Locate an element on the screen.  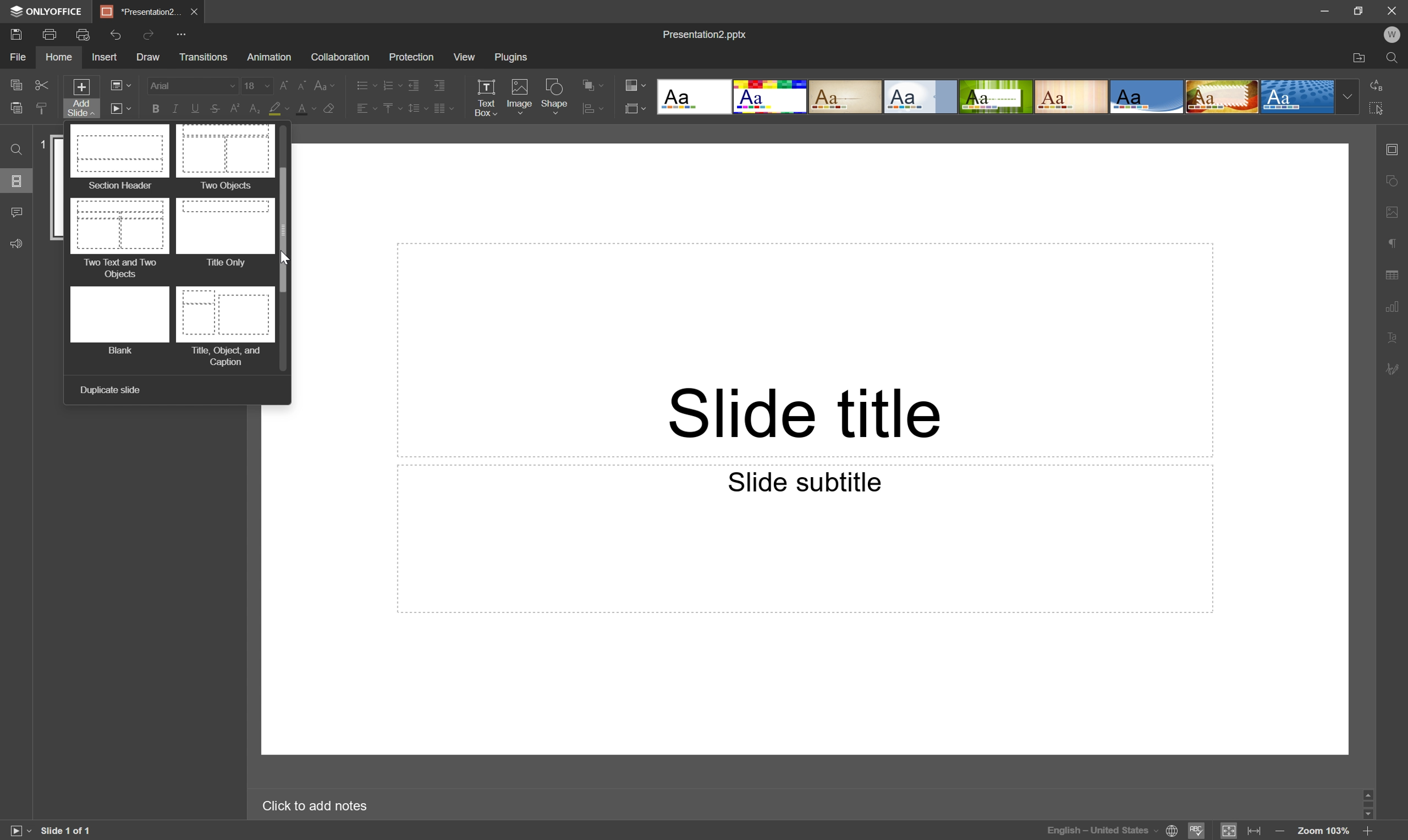
Superscript is located at coordinates (234, 109).